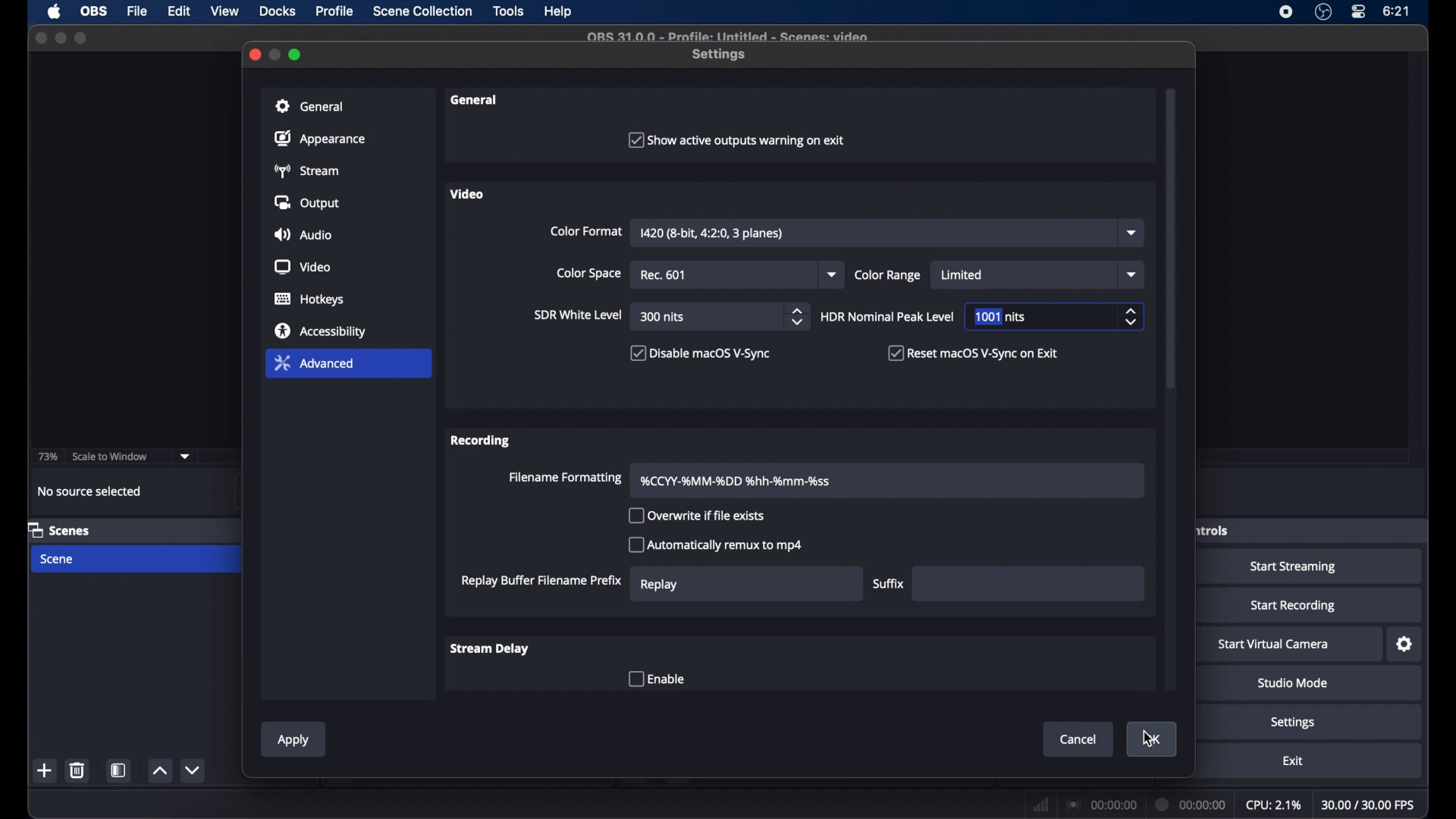  Describe the element at coordinates (1101, 804) in the screenshot. I see `connection` at that location.